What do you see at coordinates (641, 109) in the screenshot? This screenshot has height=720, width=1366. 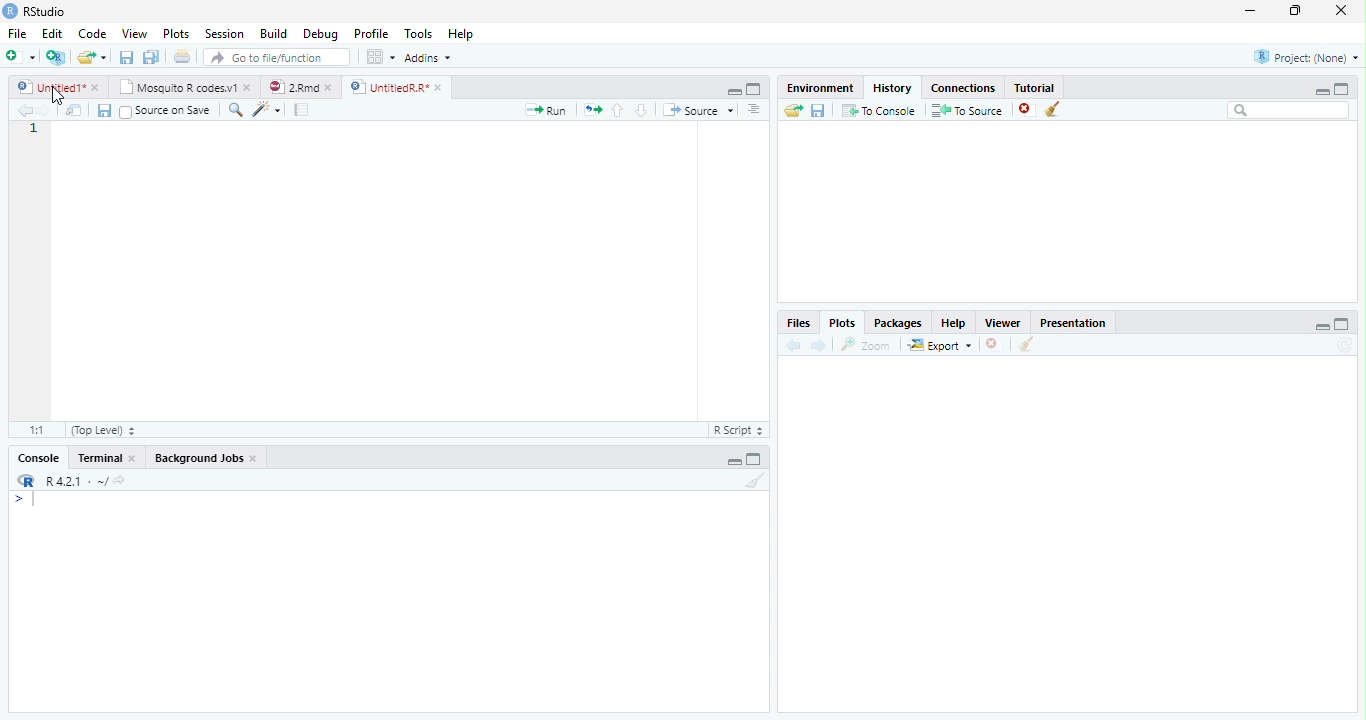 I see `Go to next section/chunk` at bounding box center [641, 109].